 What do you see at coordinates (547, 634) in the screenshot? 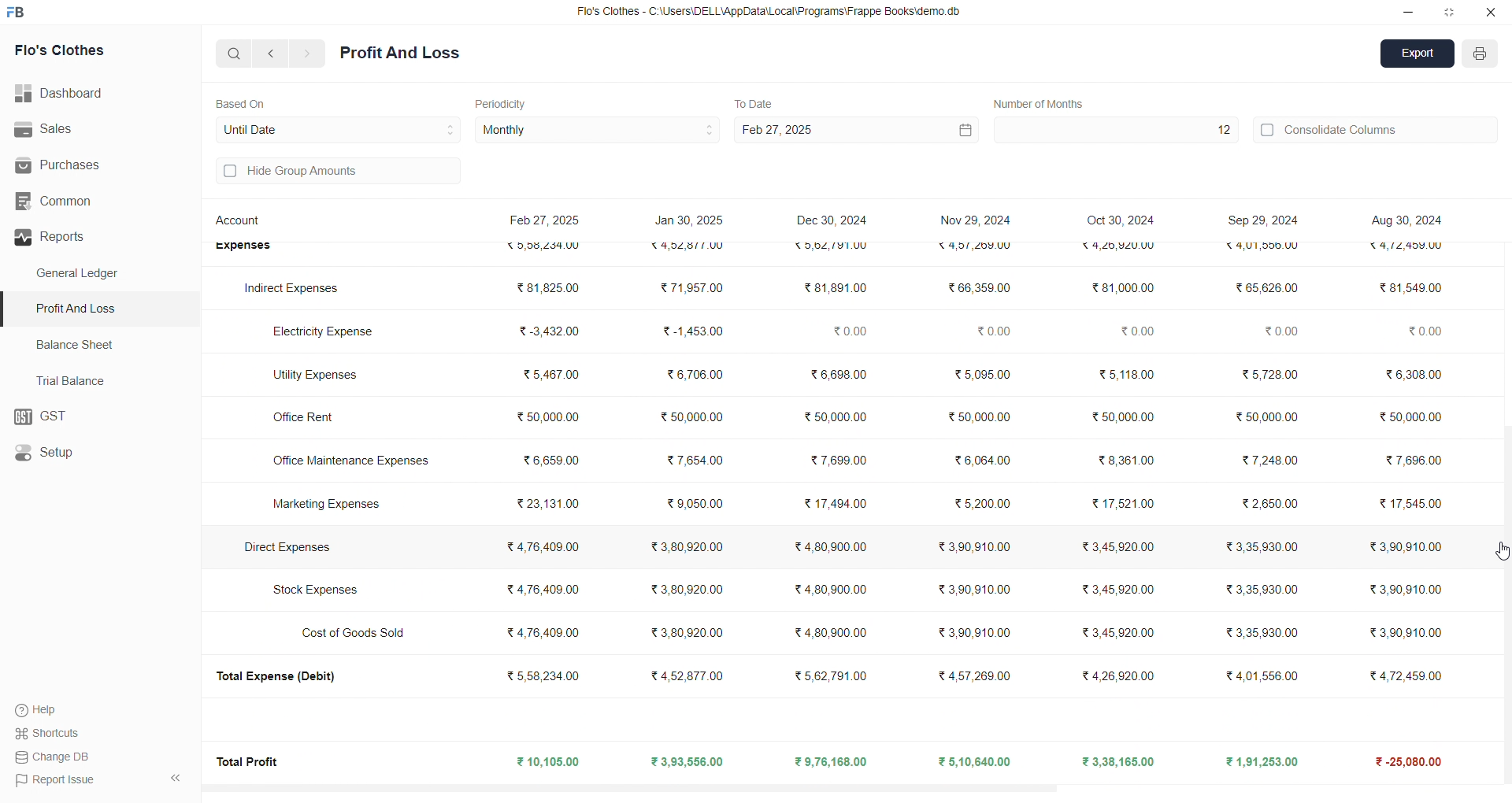
I see `₹ 4,76,409.00` at bounding box center [547, 634].